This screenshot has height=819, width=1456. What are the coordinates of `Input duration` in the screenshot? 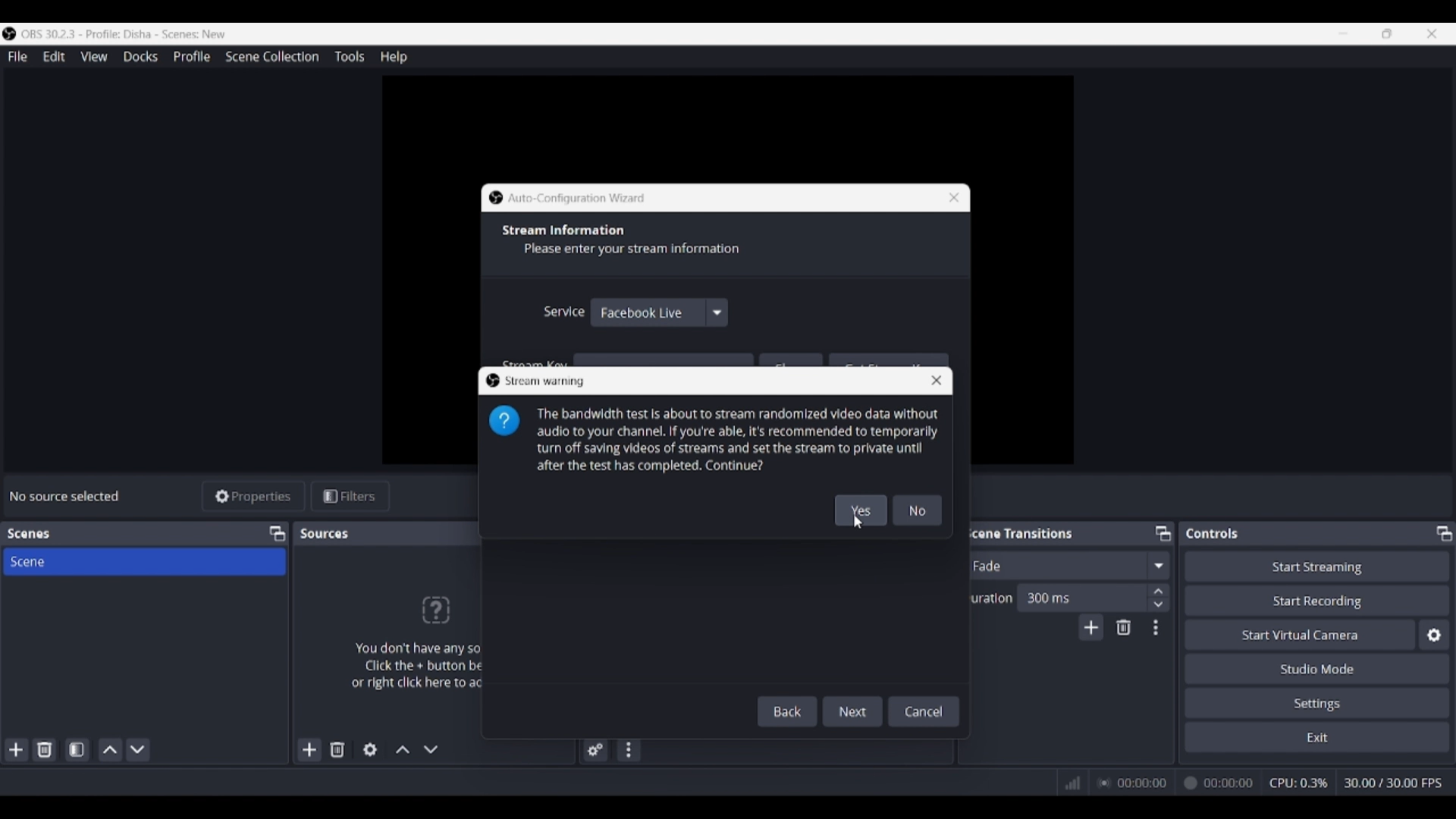 It's located at (1081, 597).